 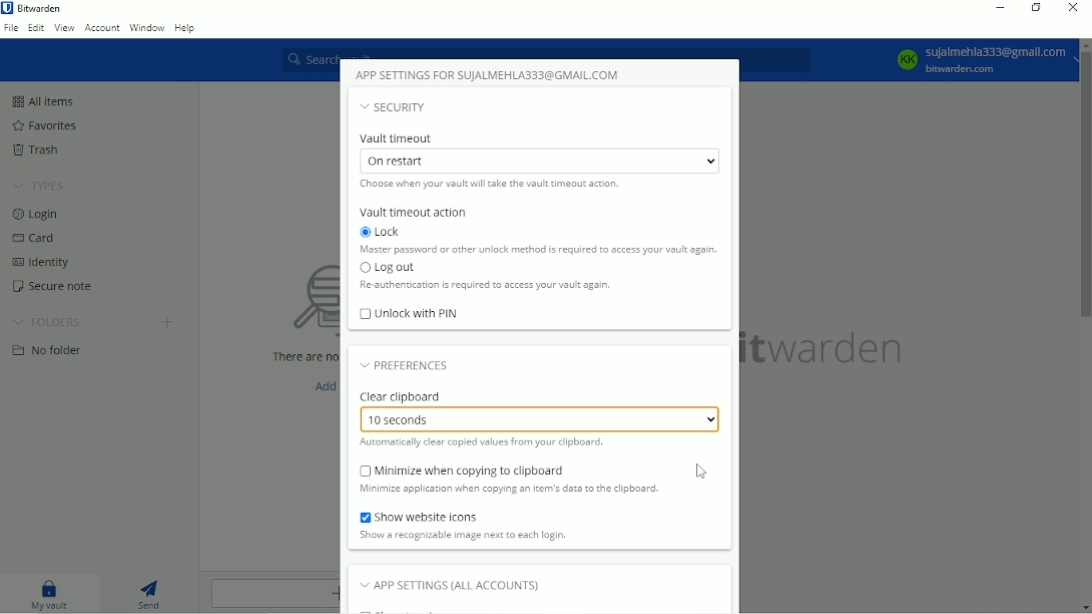 I want to click on Lock, so click(x=384, y=232).